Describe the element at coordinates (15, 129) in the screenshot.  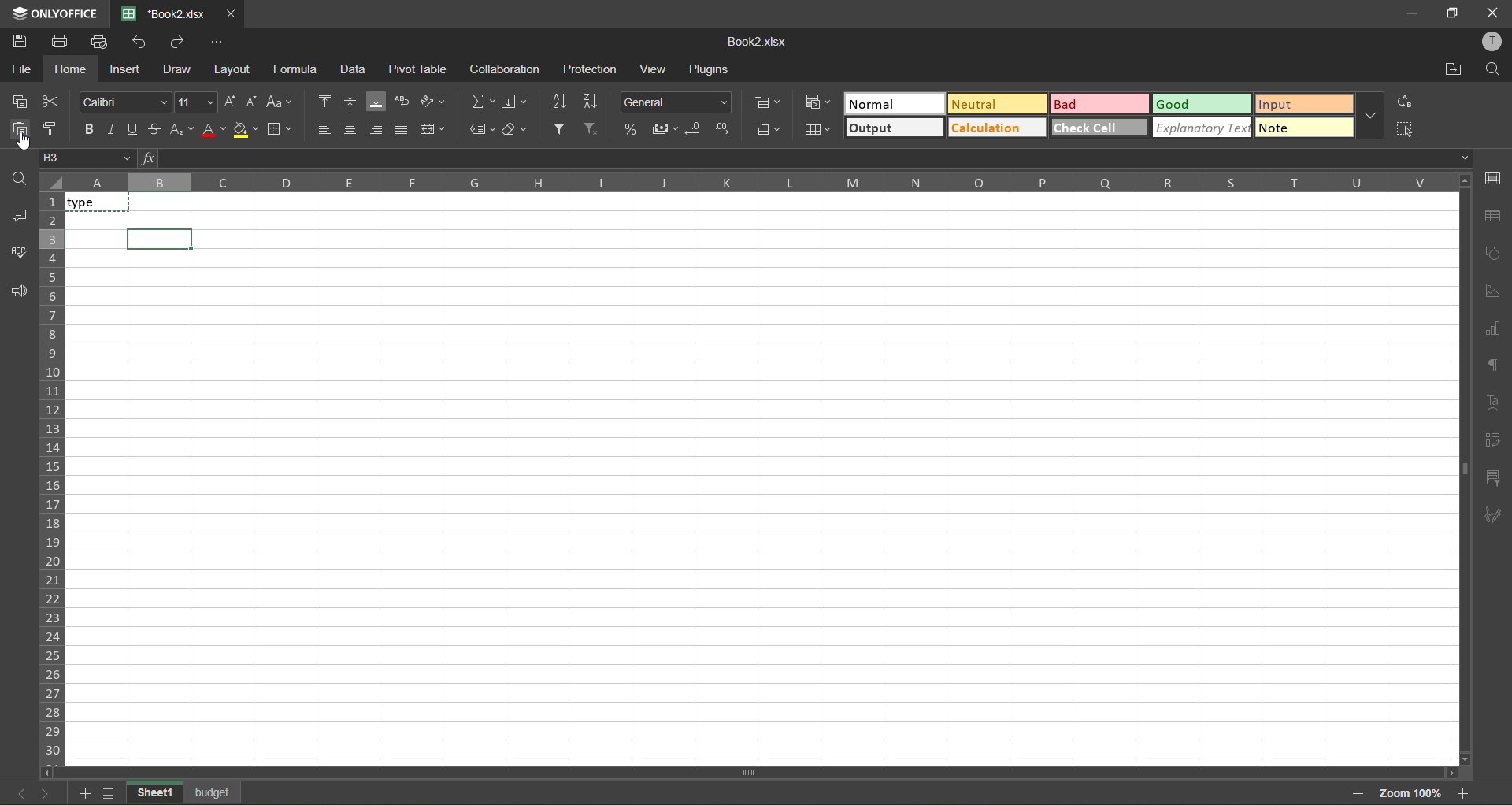
I see `paste` at that location.